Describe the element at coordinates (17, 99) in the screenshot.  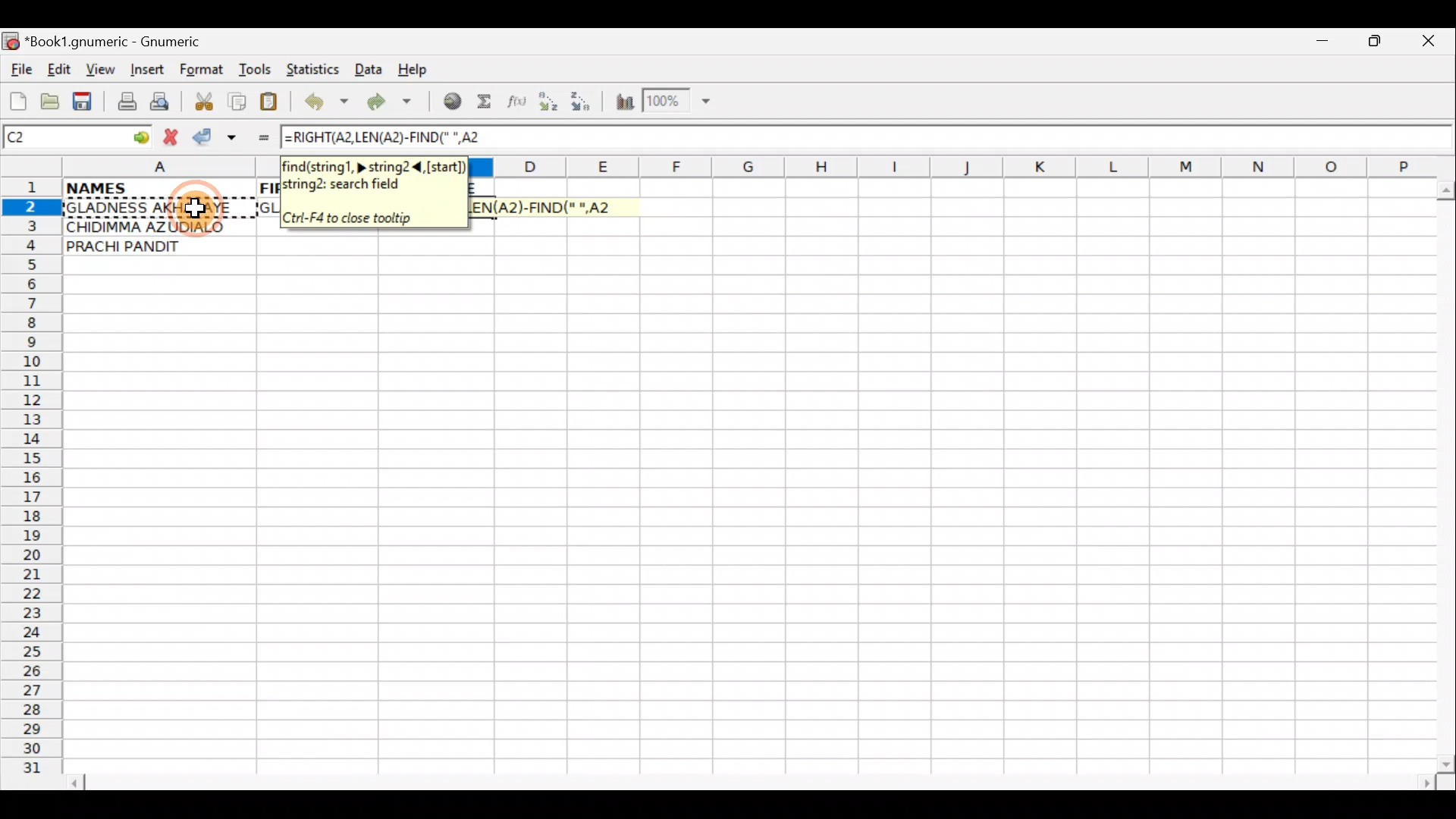
I see `Create new workbook` at that location.